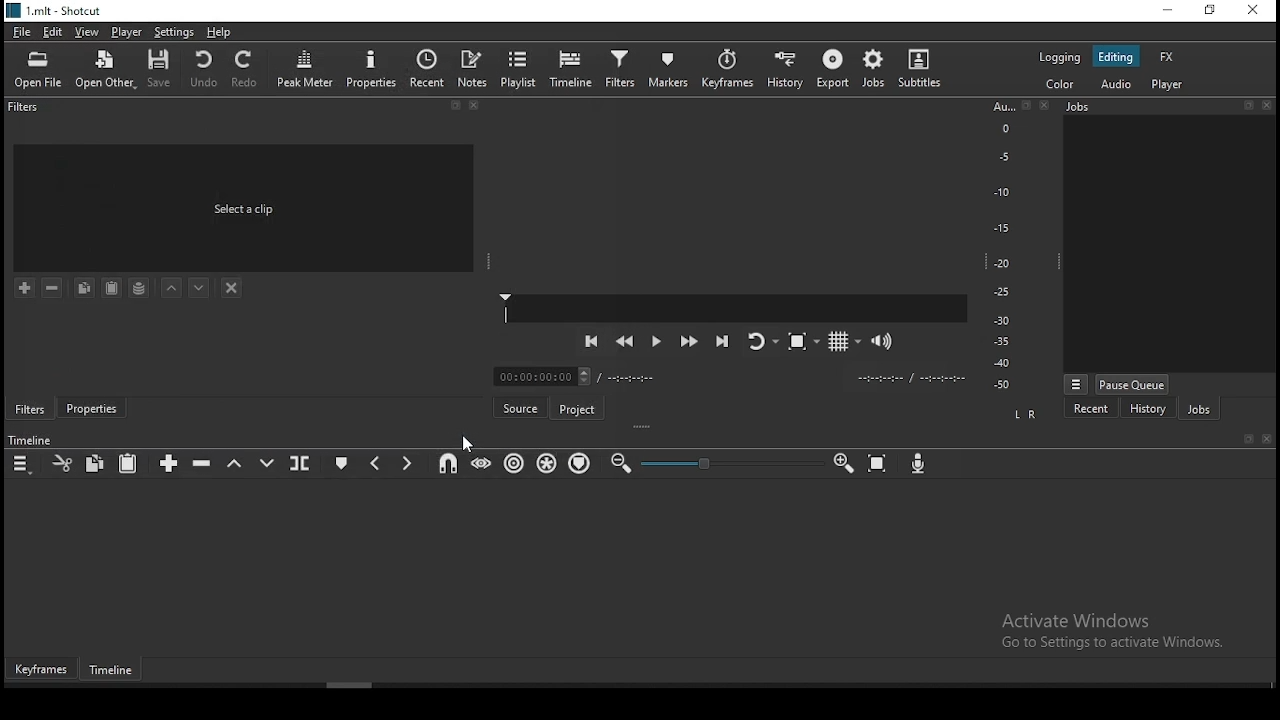 The height and width of the screenshot is (720, 1280). What do you see at coordinates (727, 68) in the screenshot?
I see `keyframes` at bounding box center [727, 68].